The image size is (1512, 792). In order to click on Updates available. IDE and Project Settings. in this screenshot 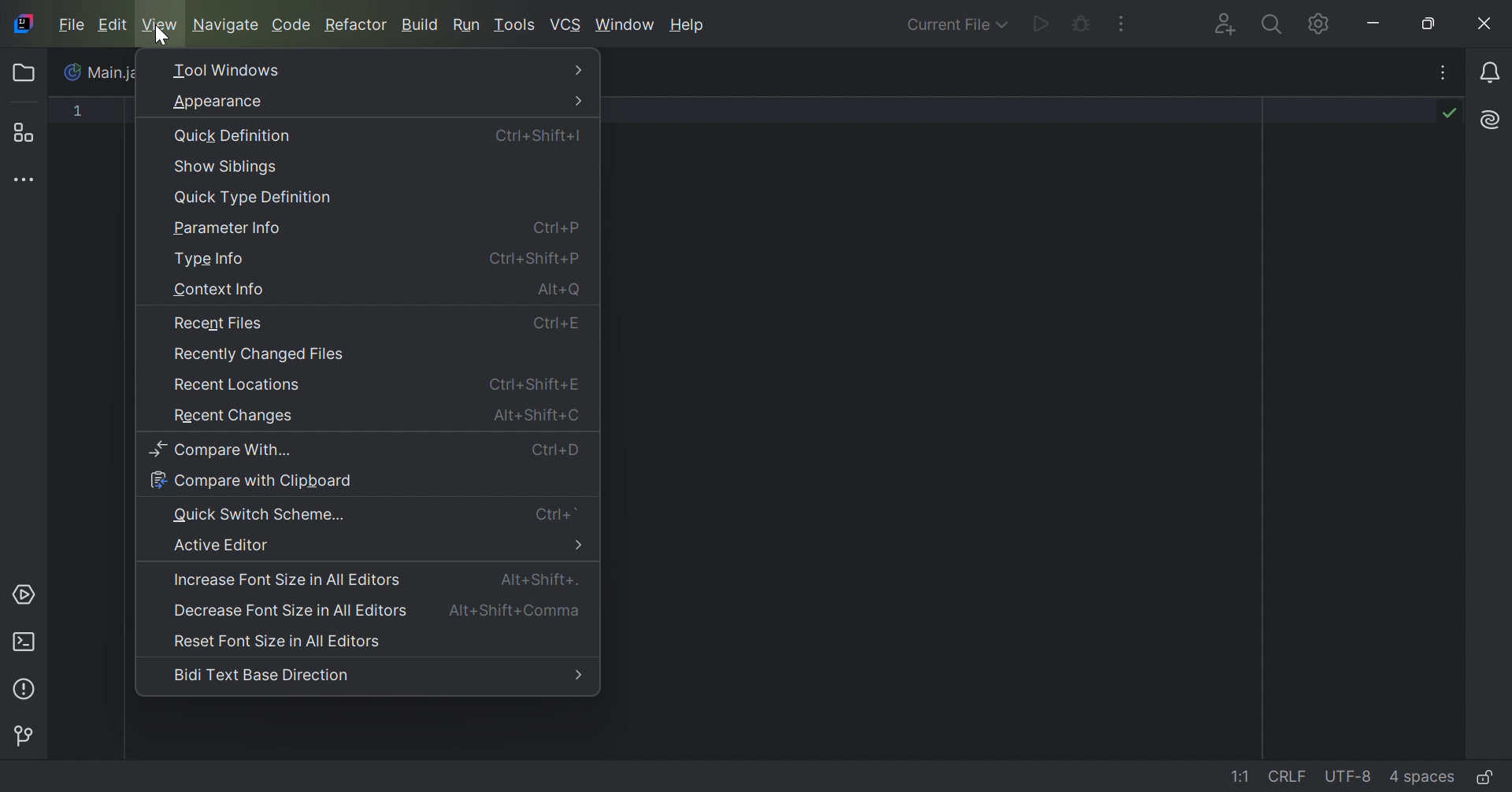, I will do `click(1297, 24)`.